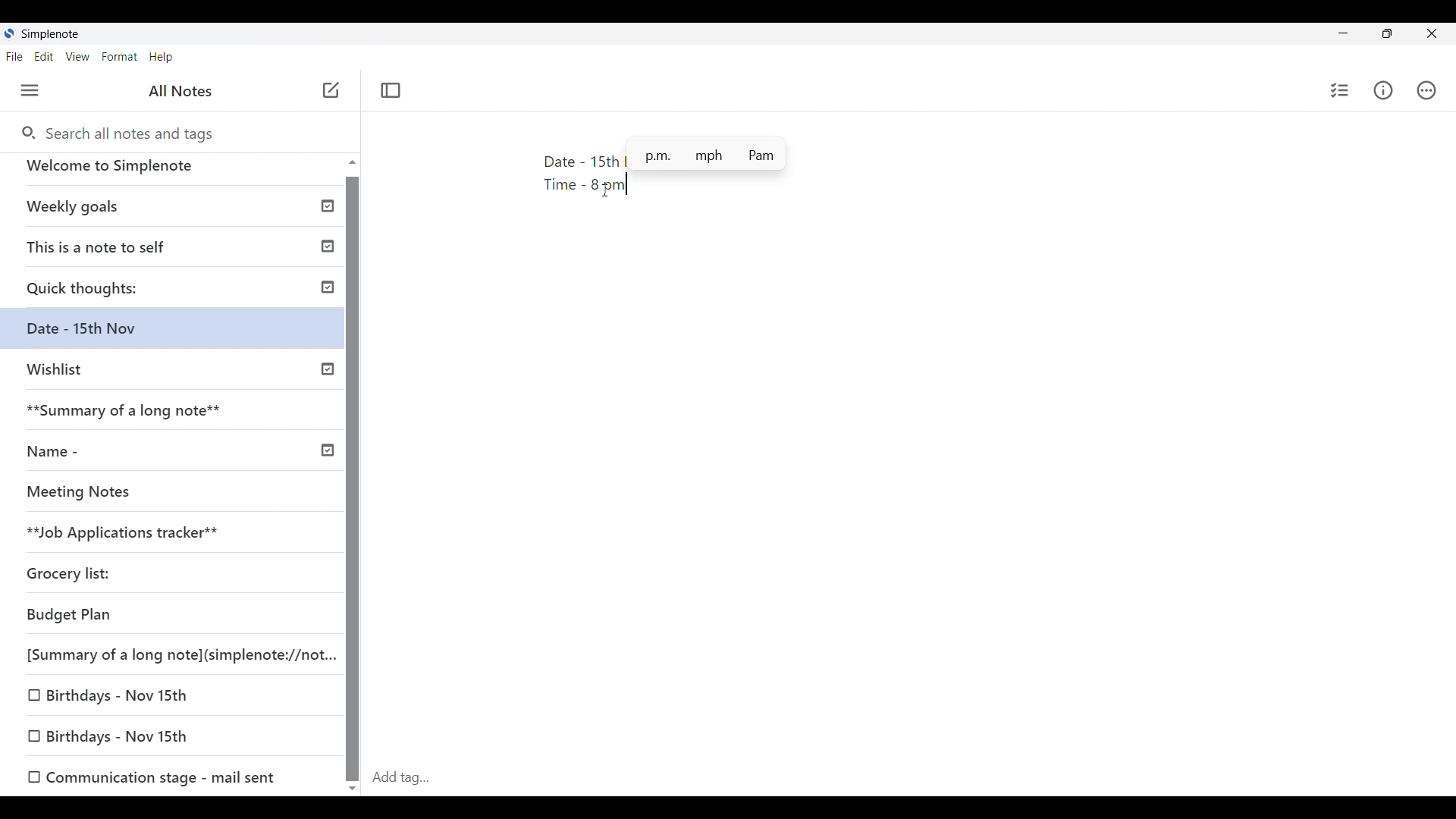 This screenshot has width=1456, height=819. What do you see at coordinates (605, 190) in the screenshot?
I see `Cursor position unchanged ` at bounding box center [605, 190].